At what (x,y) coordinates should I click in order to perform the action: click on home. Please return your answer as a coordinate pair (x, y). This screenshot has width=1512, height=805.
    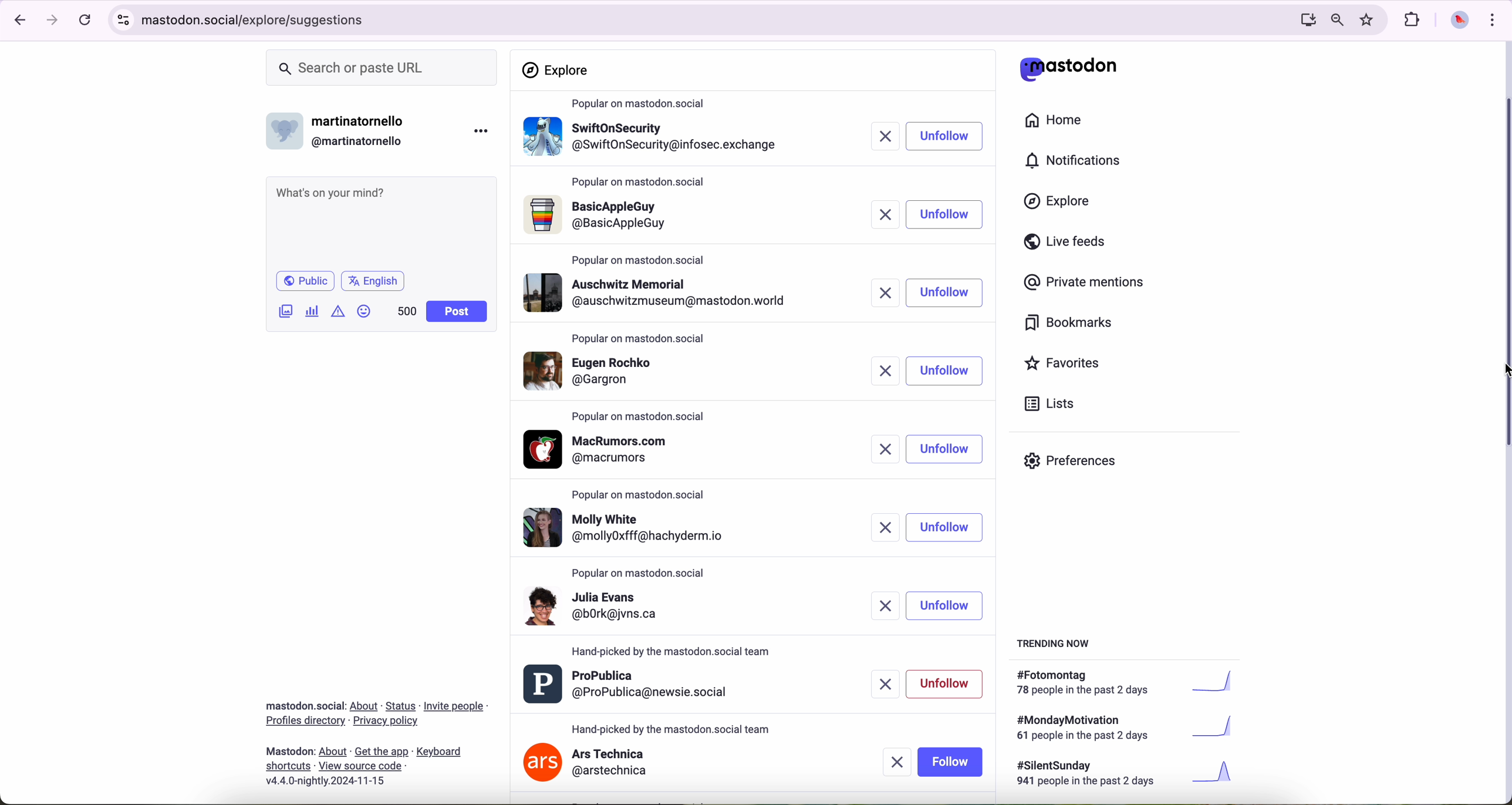
    Looking at the image, I should click on (1060, 123).